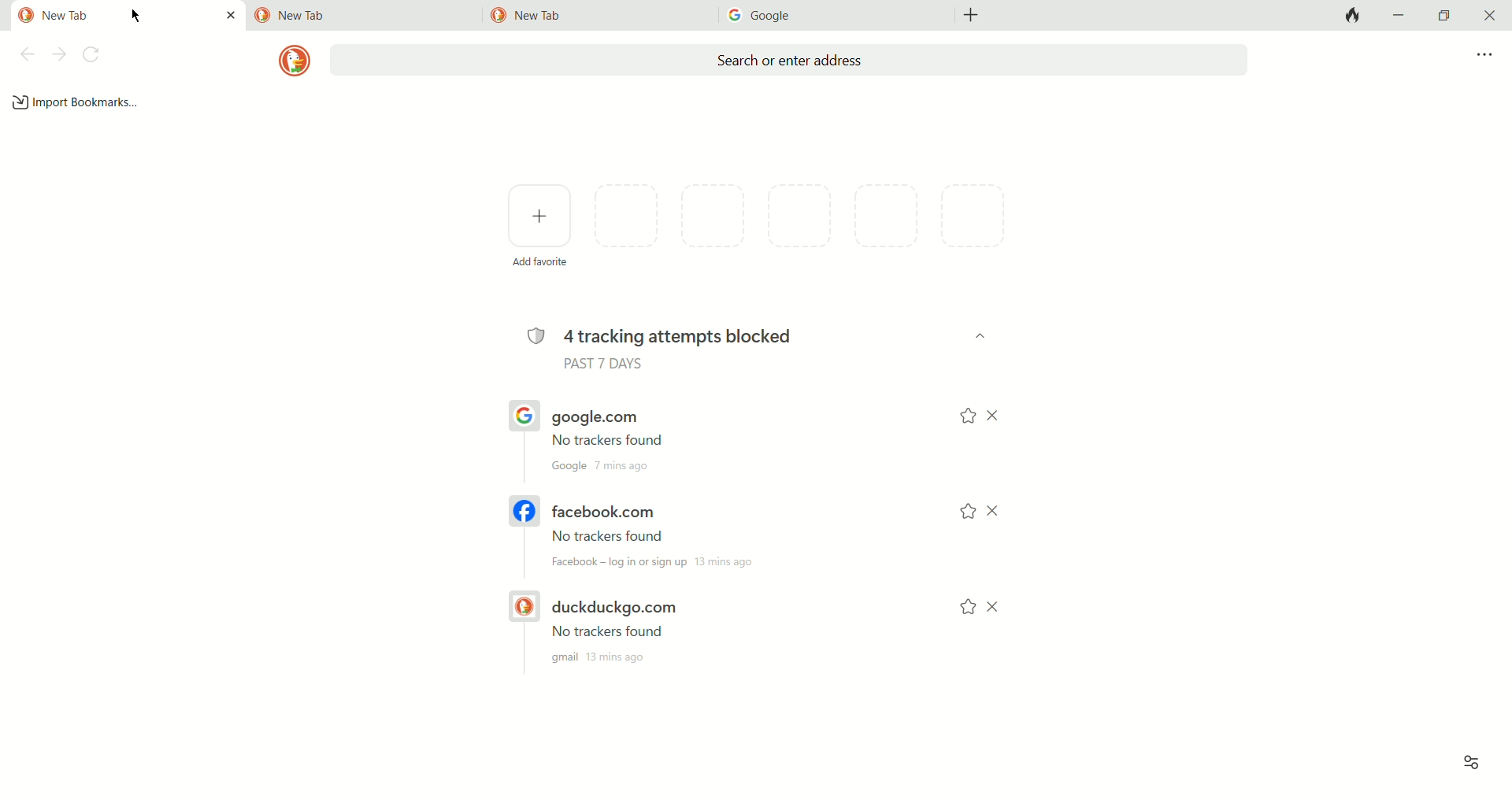 The height and width of the screenshot is (803, 1512). Describe the element at coordinates (998, 420) in the screenshot. I see `close` at that location.